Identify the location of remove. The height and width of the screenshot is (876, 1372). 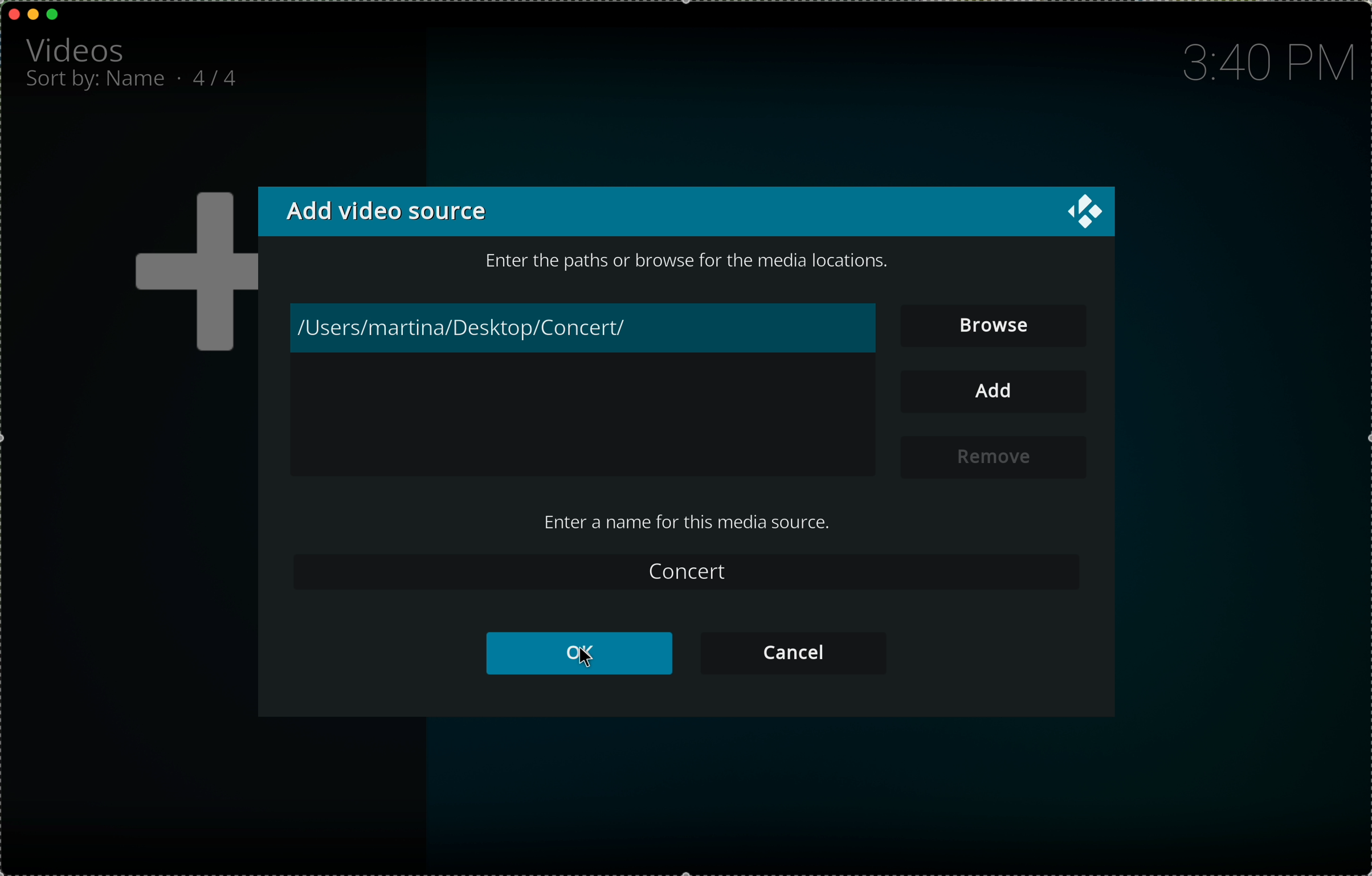
(995, 457).